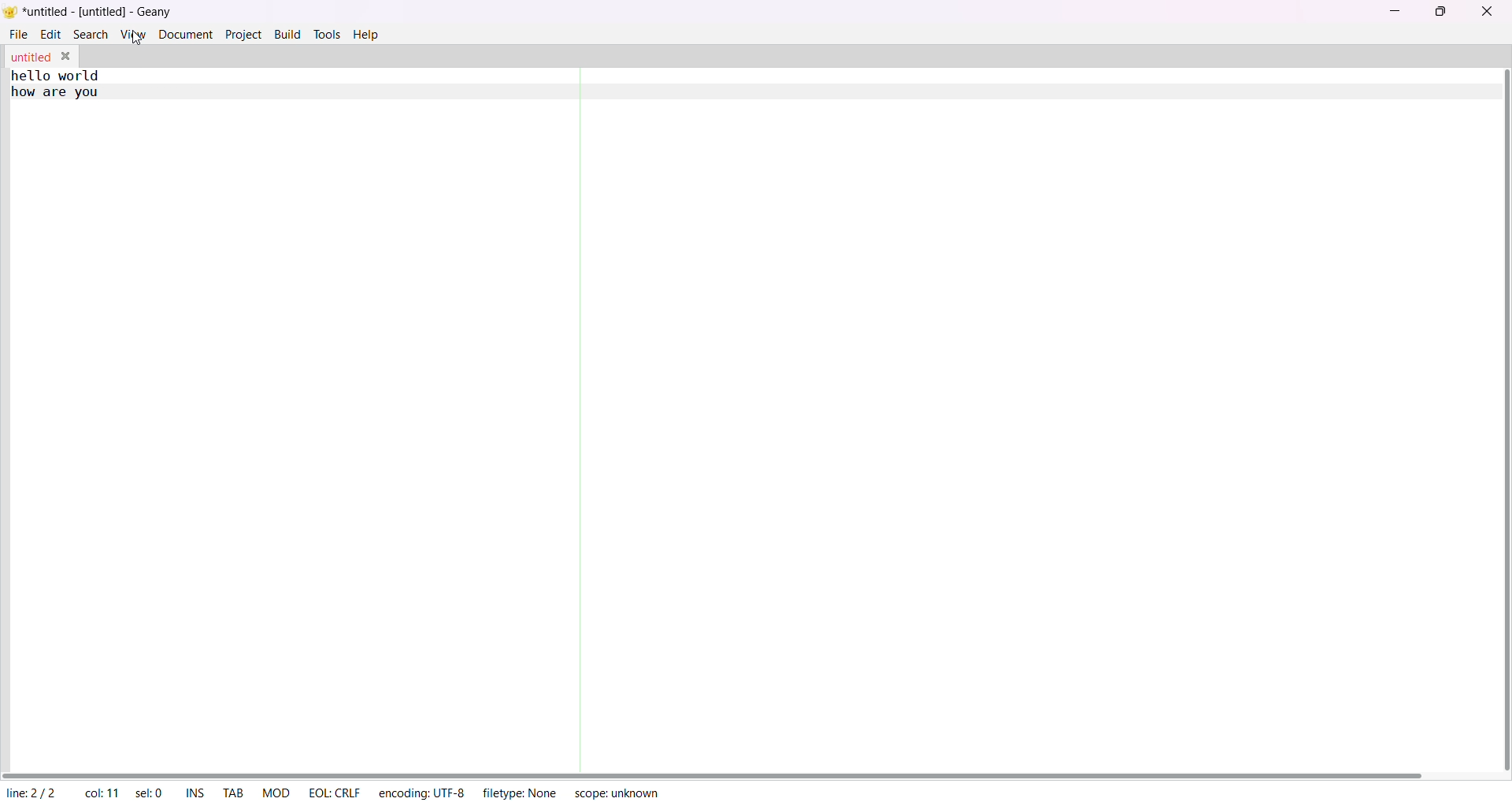 The height and width of the screenshot is (802, 1512). Describe the element at coordinates (518, 791) in the screenshot. I see `filetype` at that location.